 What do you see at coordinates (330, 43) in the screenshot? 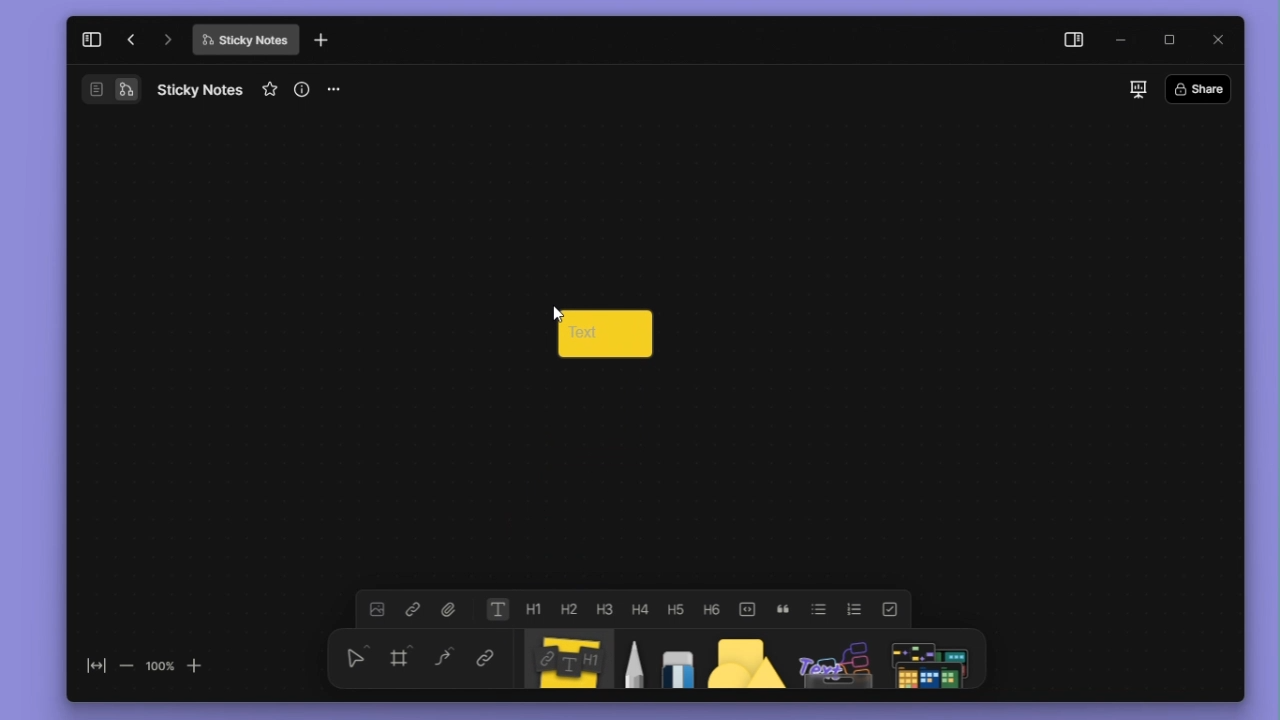
I see `new tab` at bounding box center [330, 43].